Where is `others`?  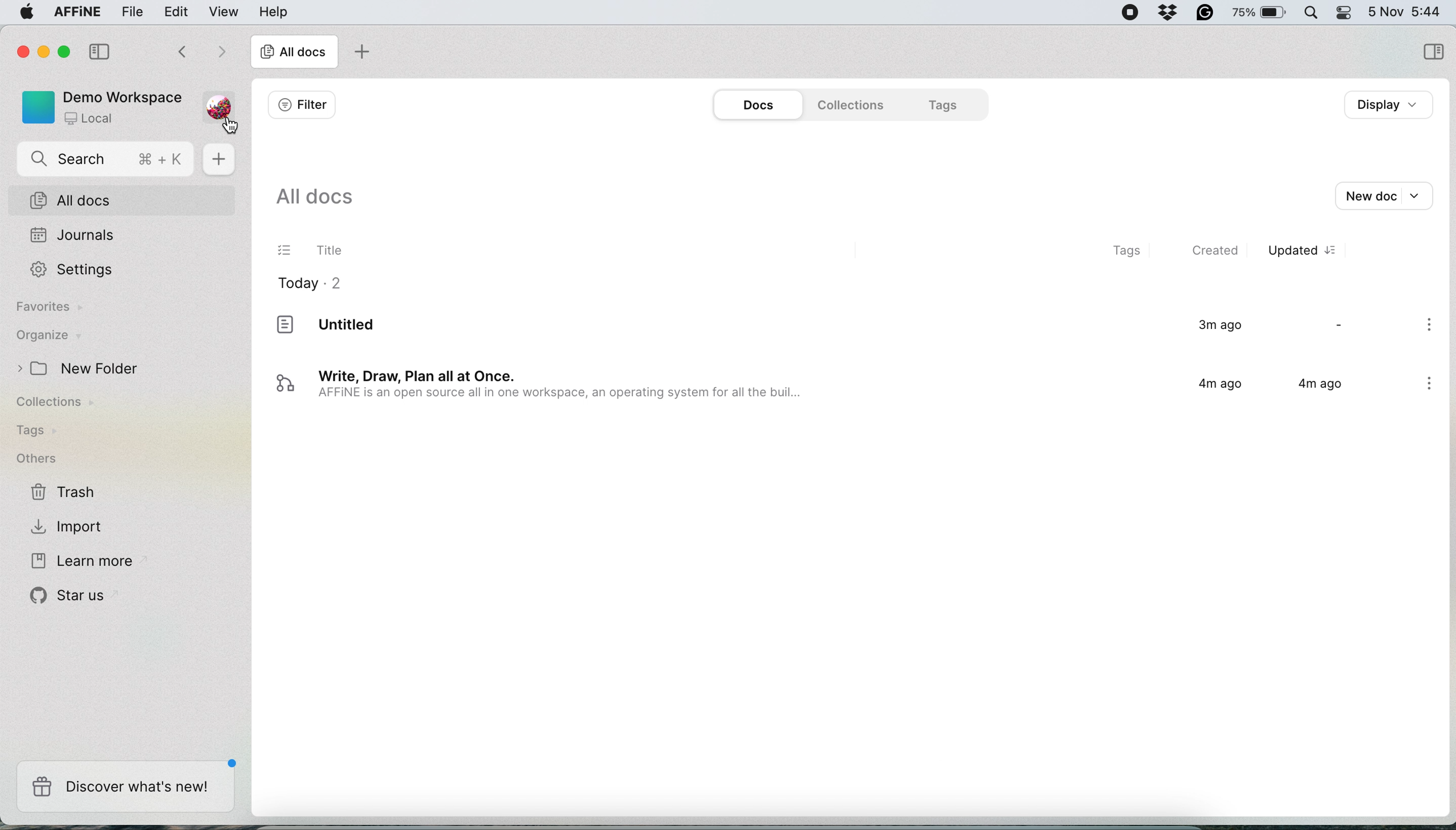
others is located at coordinates (36, 459).